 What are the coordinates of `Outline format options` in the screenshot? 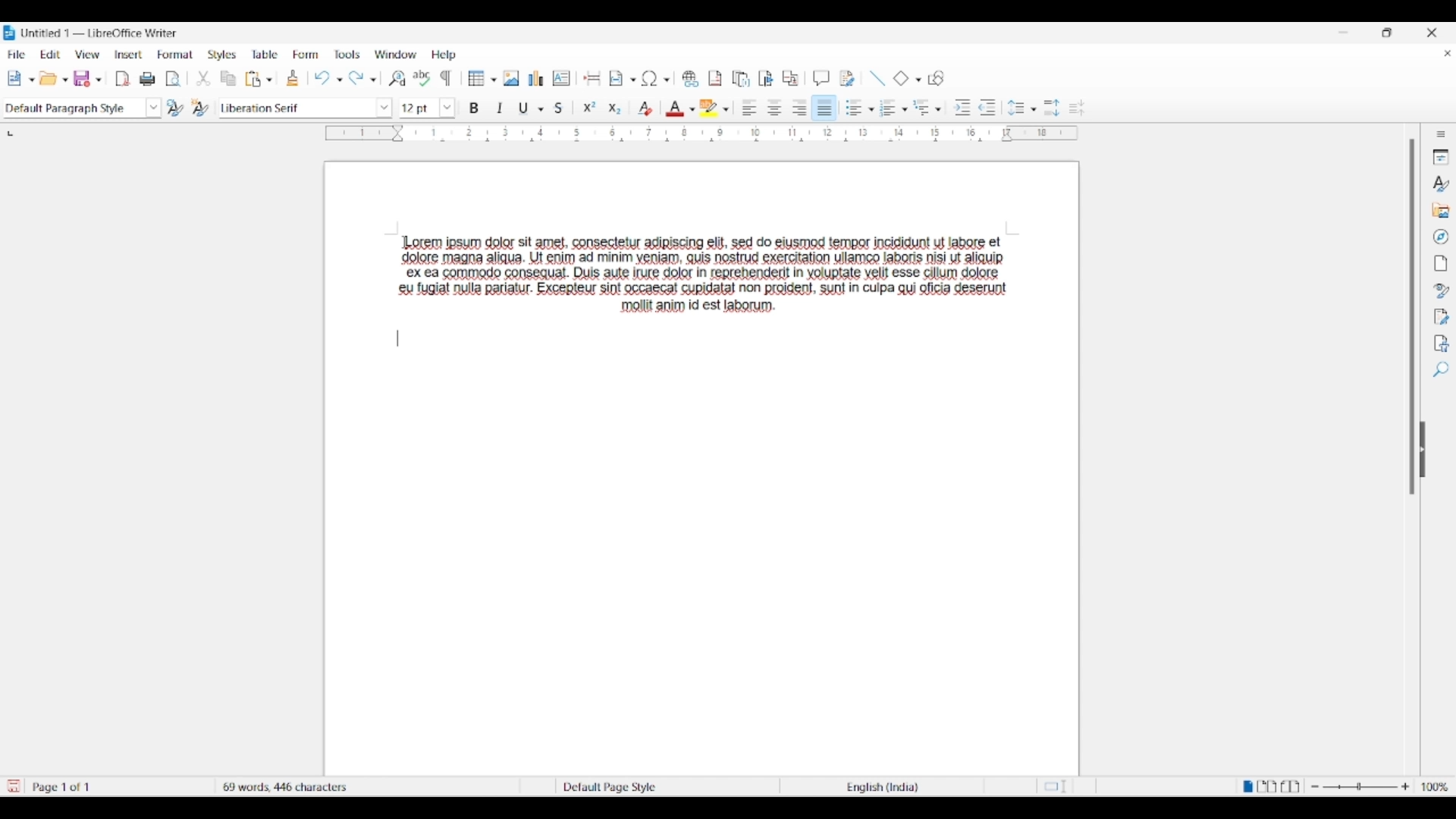 It's located at (938, 109).